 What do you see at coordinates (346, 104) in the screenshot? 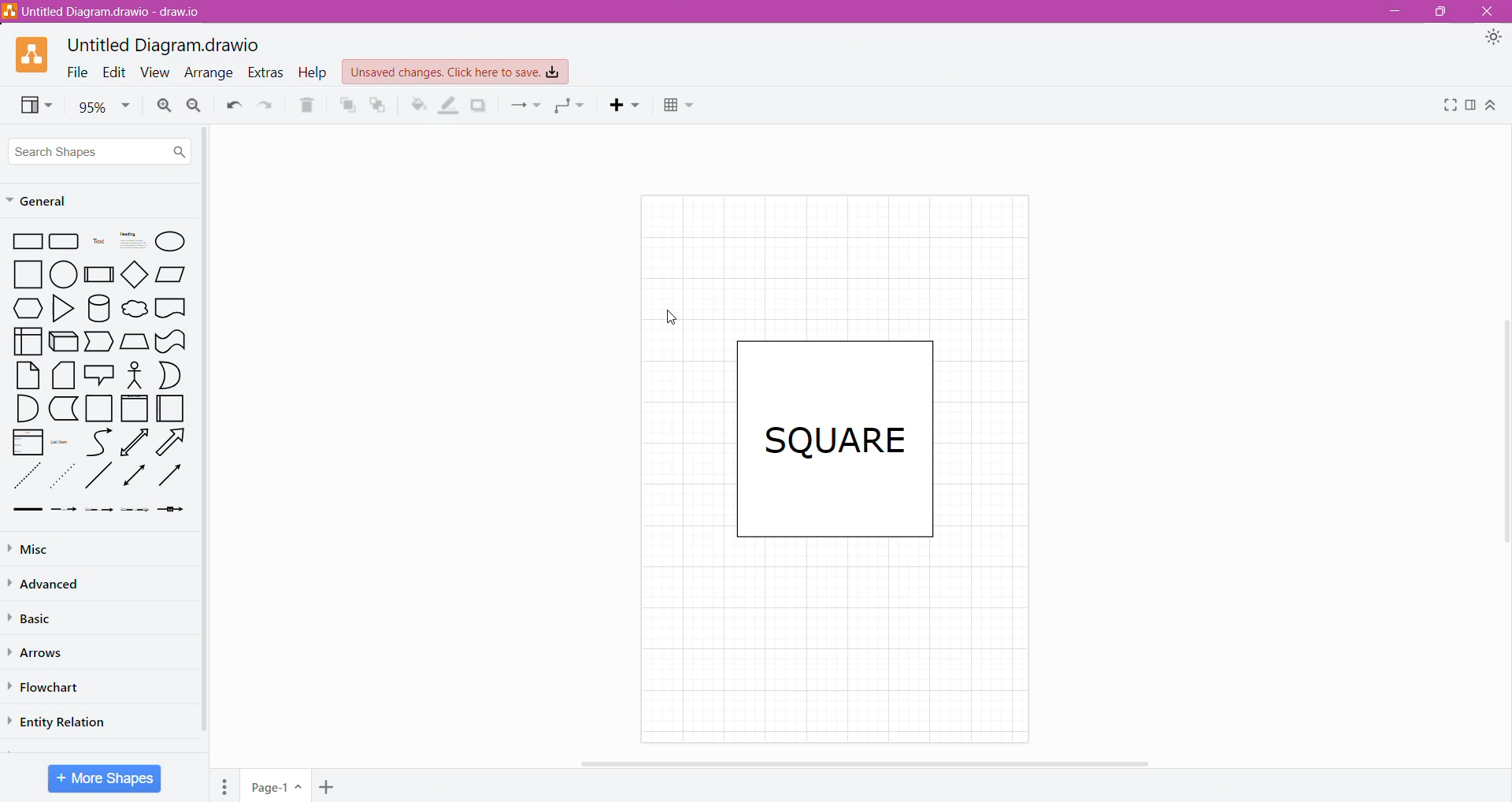
I see `To Front` at bounding box center [346, 104].